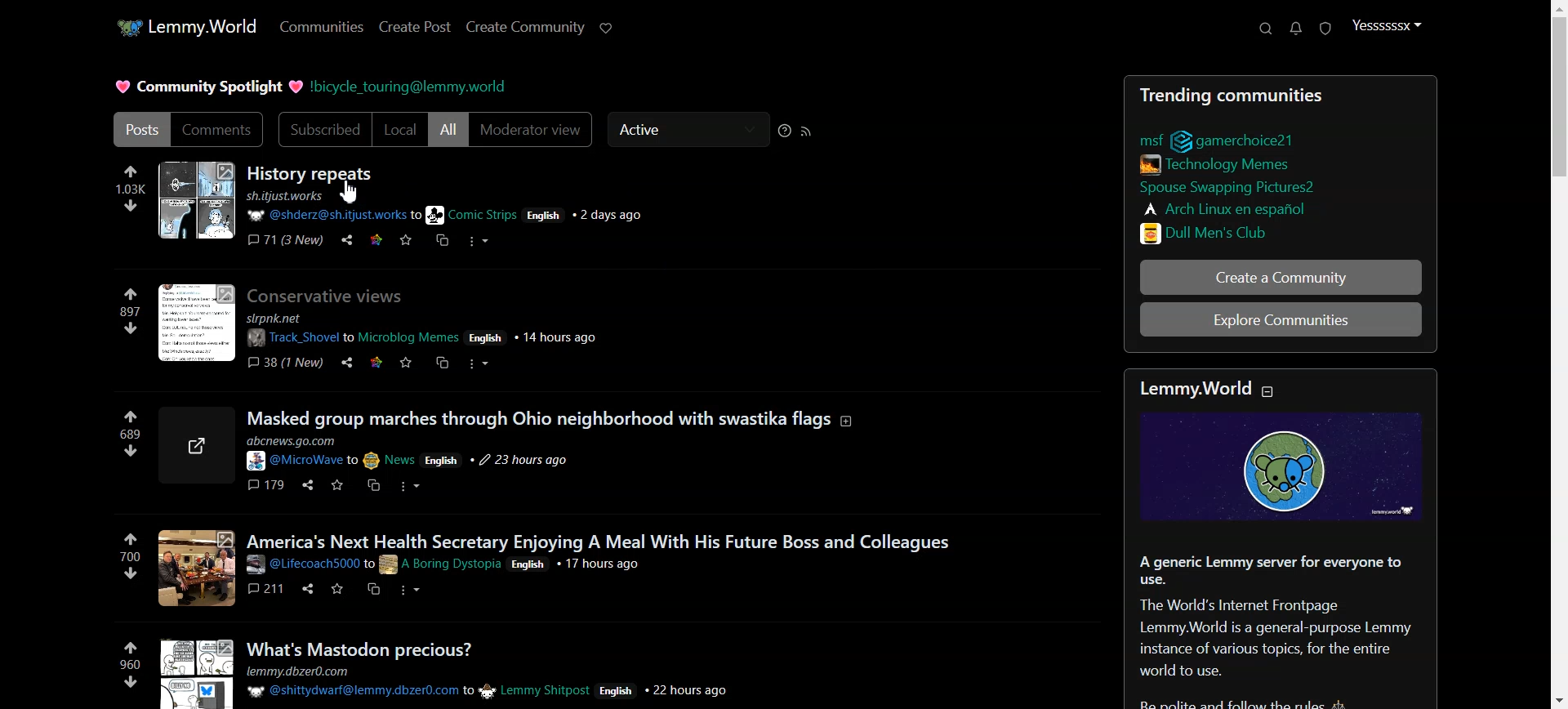 The height and width of the screenshot is (709, 1568). I want to click on Active, so click(687, 129).